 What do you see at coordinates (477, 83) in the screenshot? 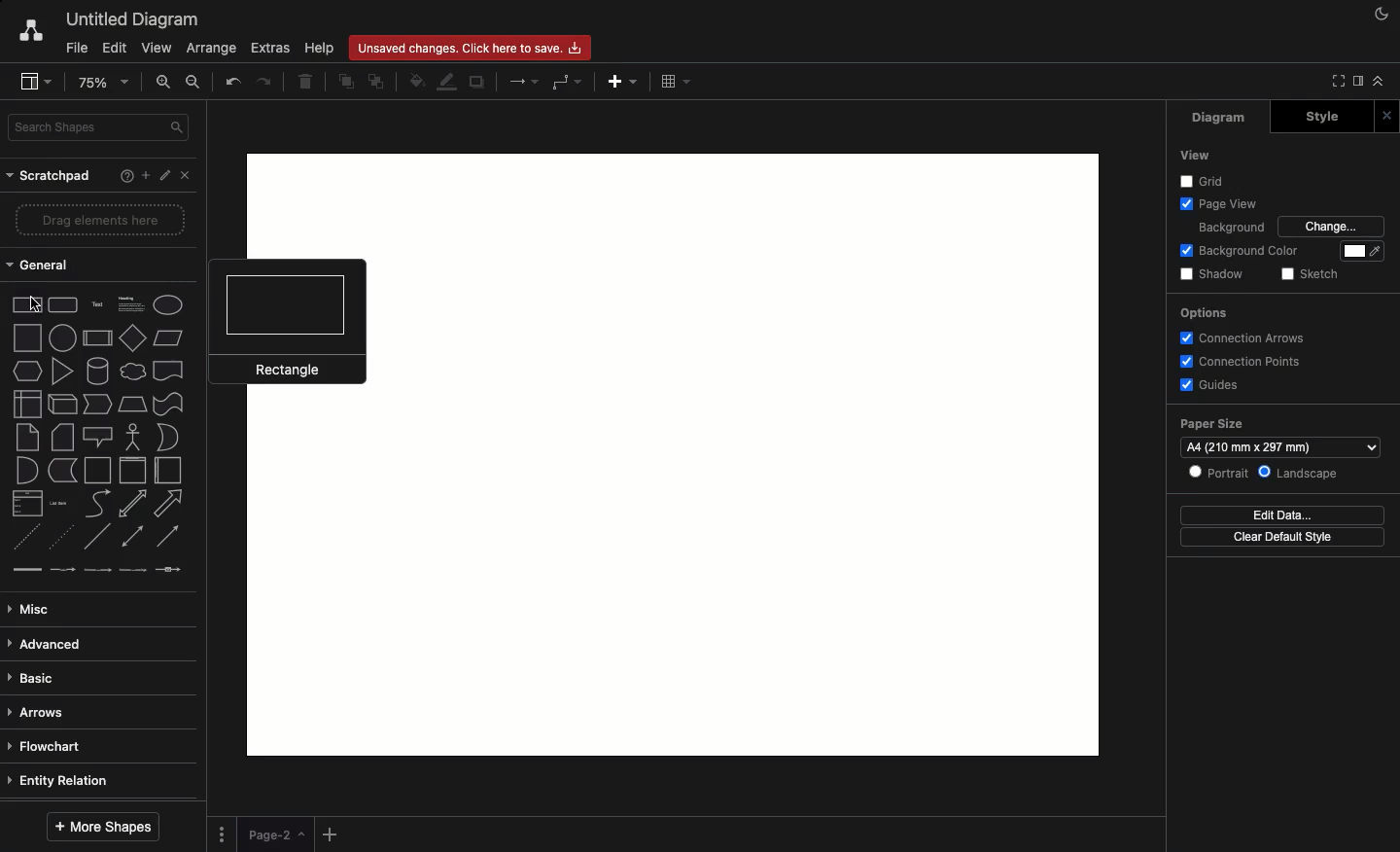
I see `Duplicate` at bounding box center [477, 83].